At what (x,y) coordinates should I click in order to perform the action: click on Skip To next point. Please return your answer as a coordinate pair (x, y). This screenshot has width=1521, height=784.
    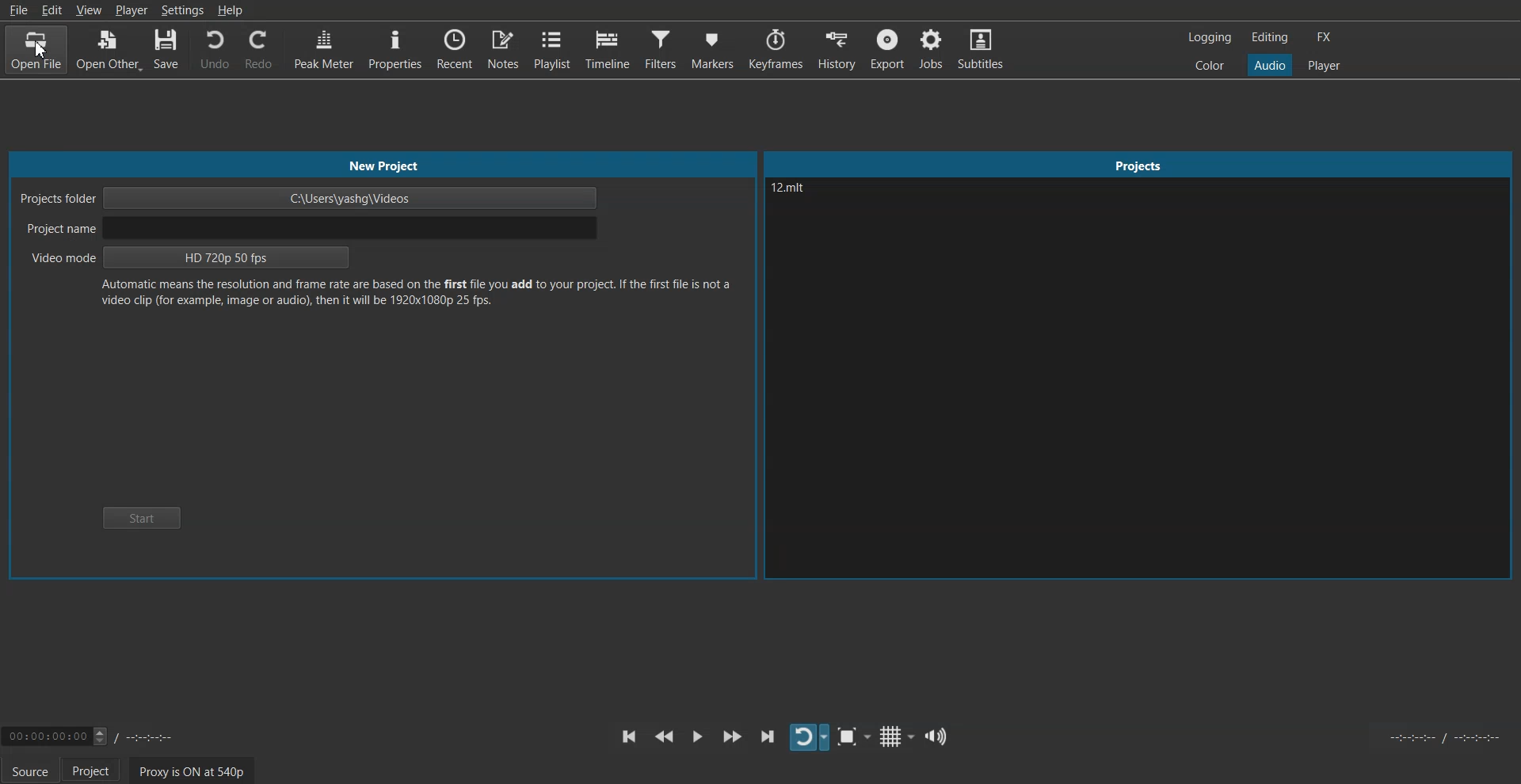
    Looking at the image, I should click on (768, 736).